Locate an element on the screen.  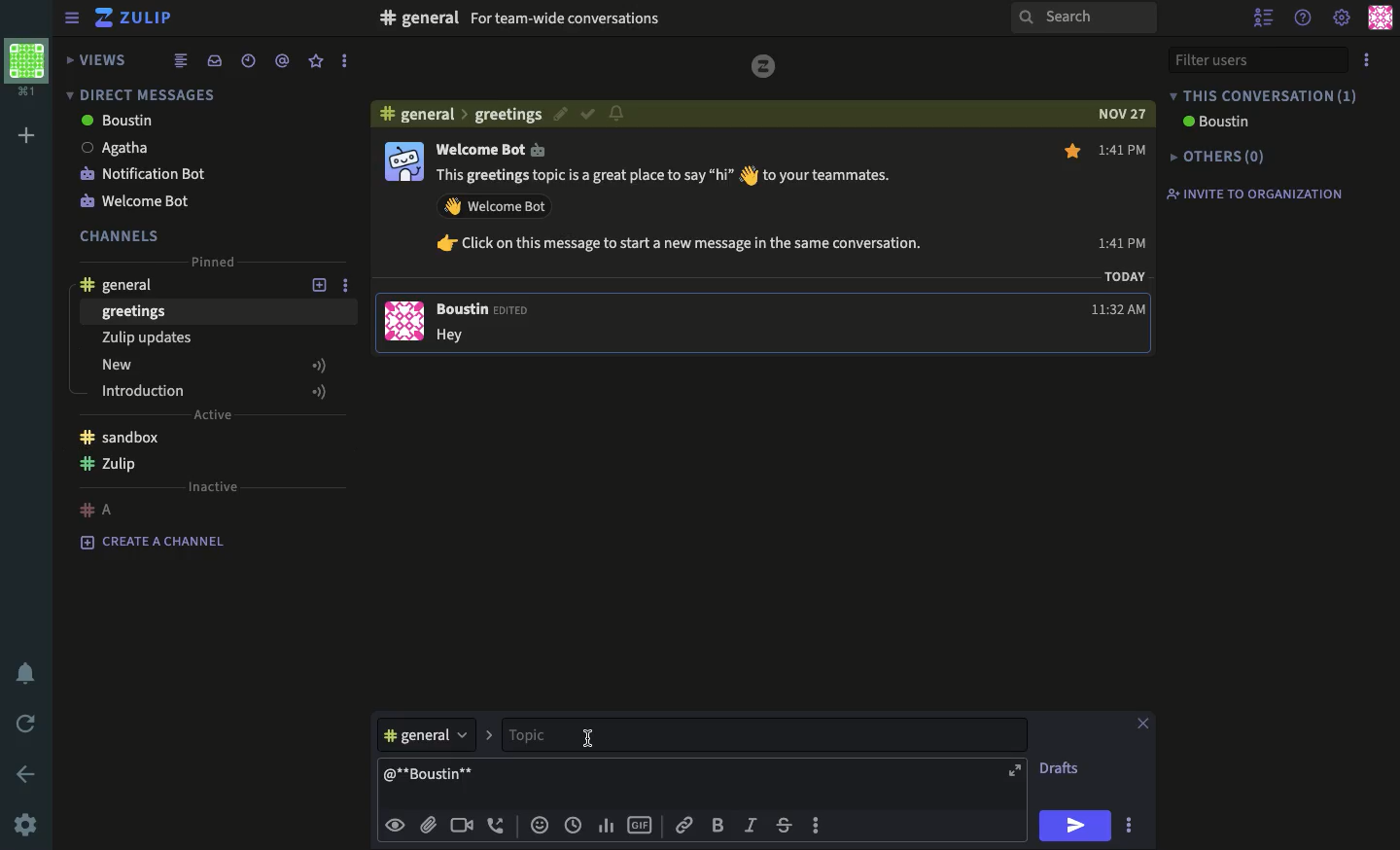
recent conversations is located at coordinates (249, 61).